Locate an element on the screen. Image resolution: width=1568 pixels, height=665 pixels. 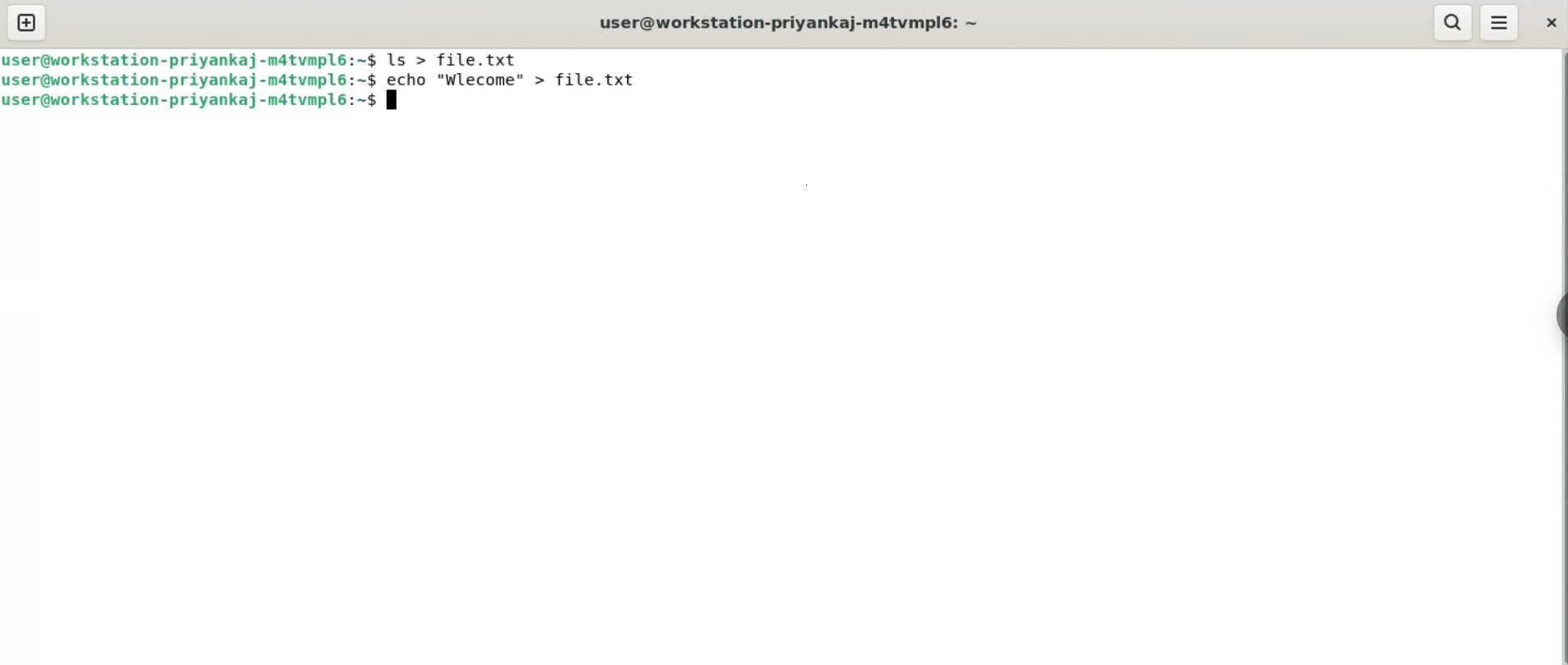
menu is located at coordinates (1500, 23).